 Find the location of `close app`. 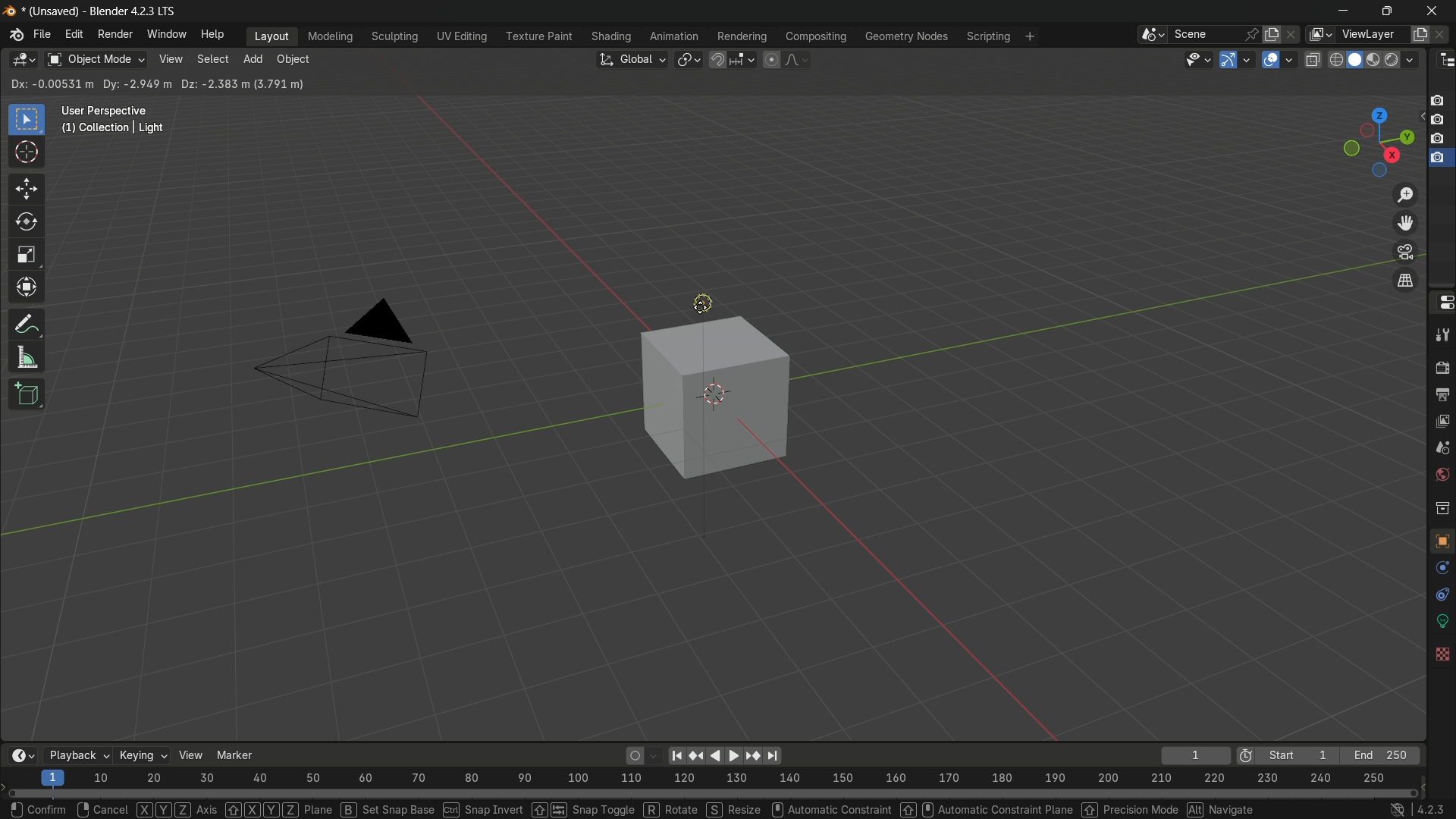

close app is located at coordinates (1427, 14).